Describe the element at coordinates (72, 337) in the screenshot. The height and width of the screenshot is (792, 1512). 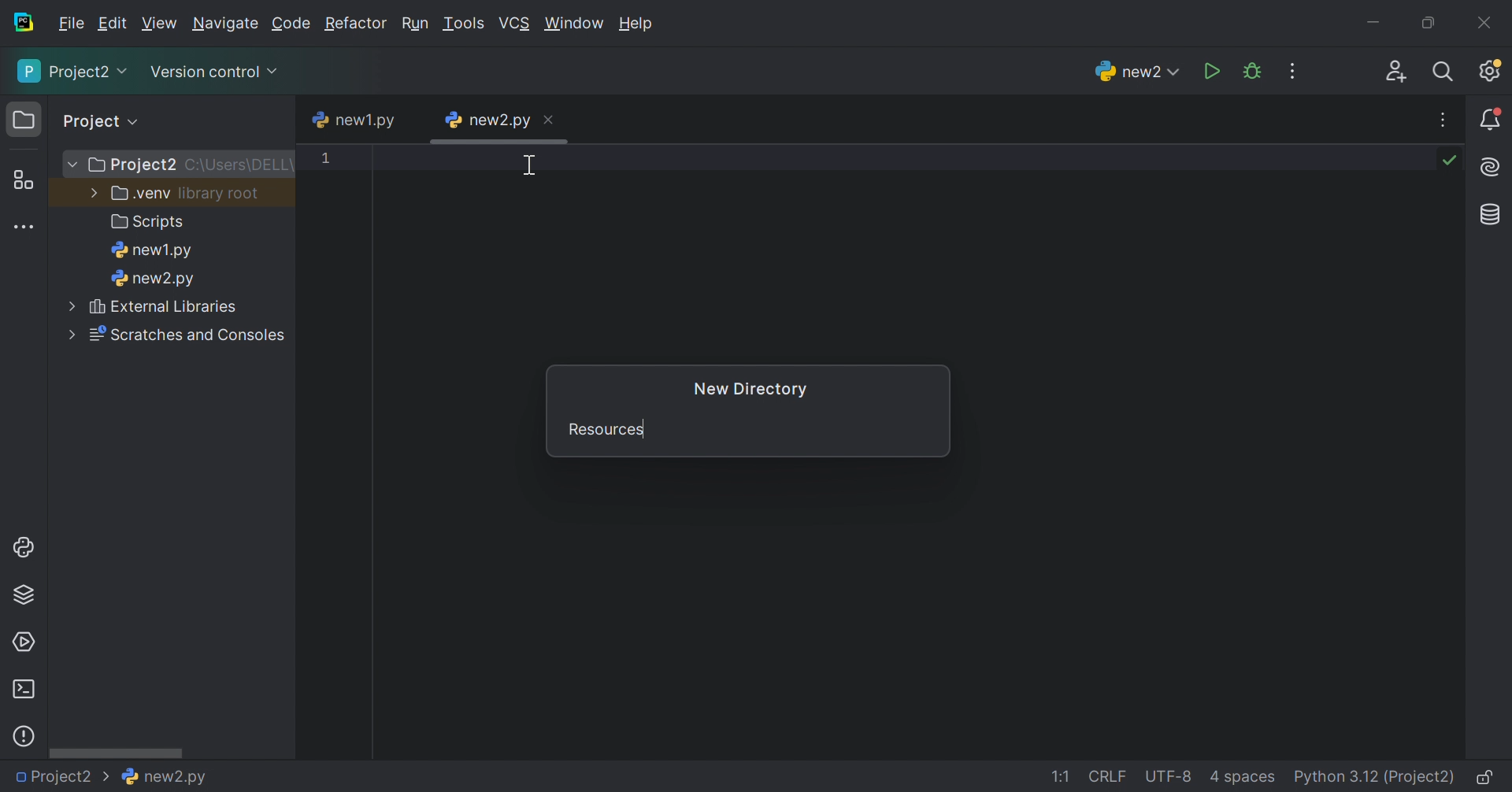
I see `More` at that location.